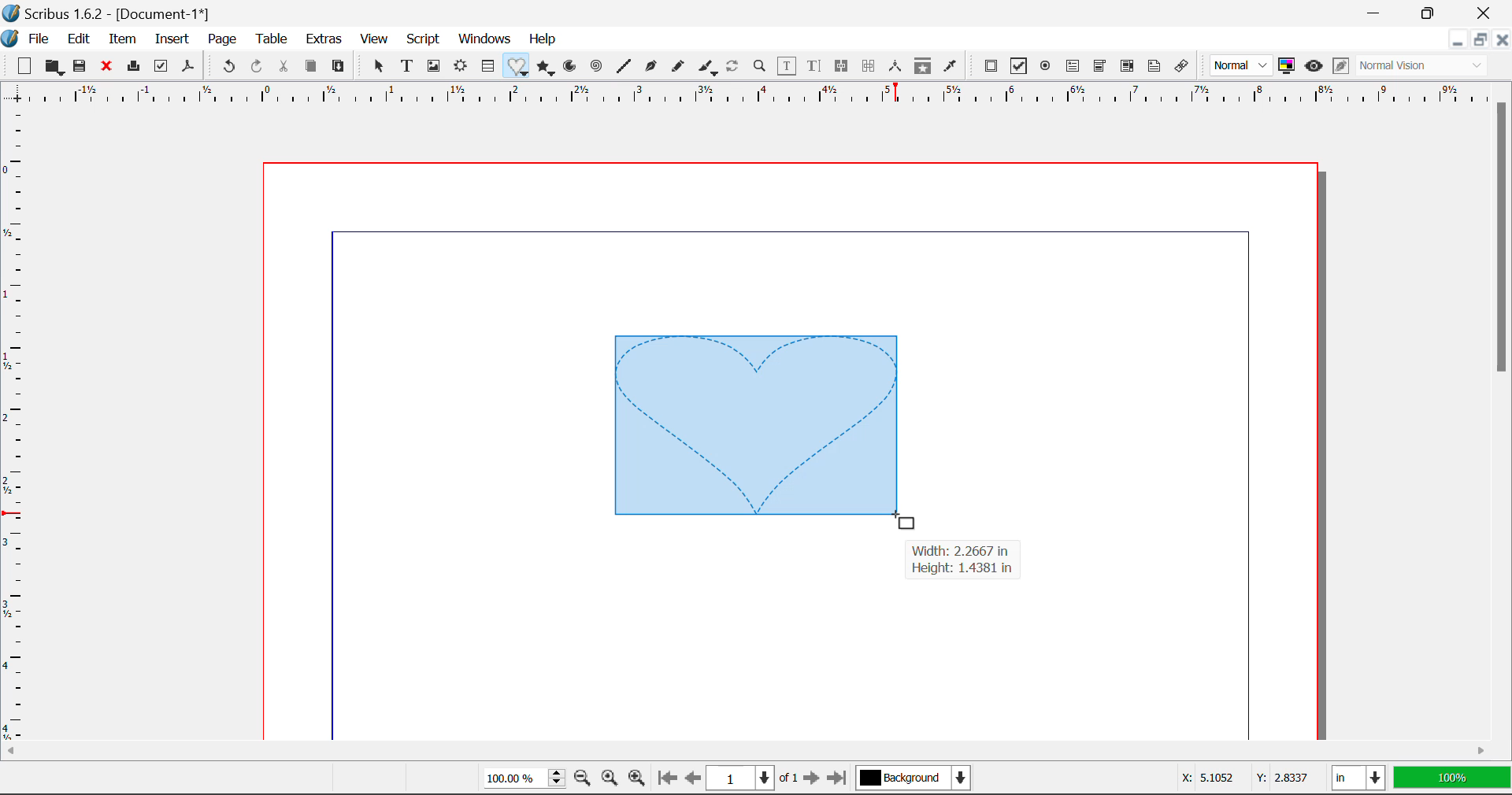  I want to click on Restore Down, so click(1459, 42).